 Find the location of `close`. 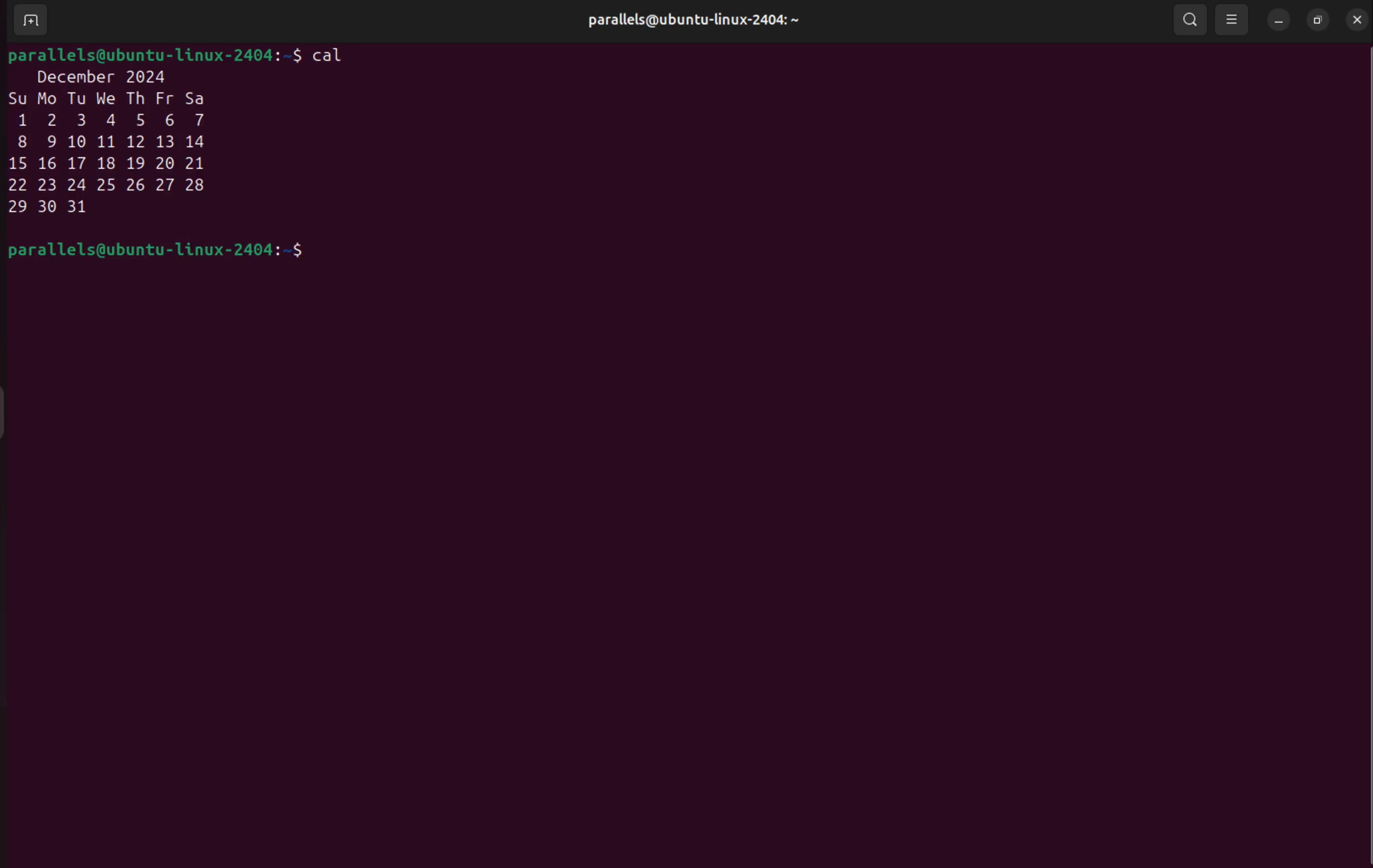

close is located at coordinates (1357, 21).